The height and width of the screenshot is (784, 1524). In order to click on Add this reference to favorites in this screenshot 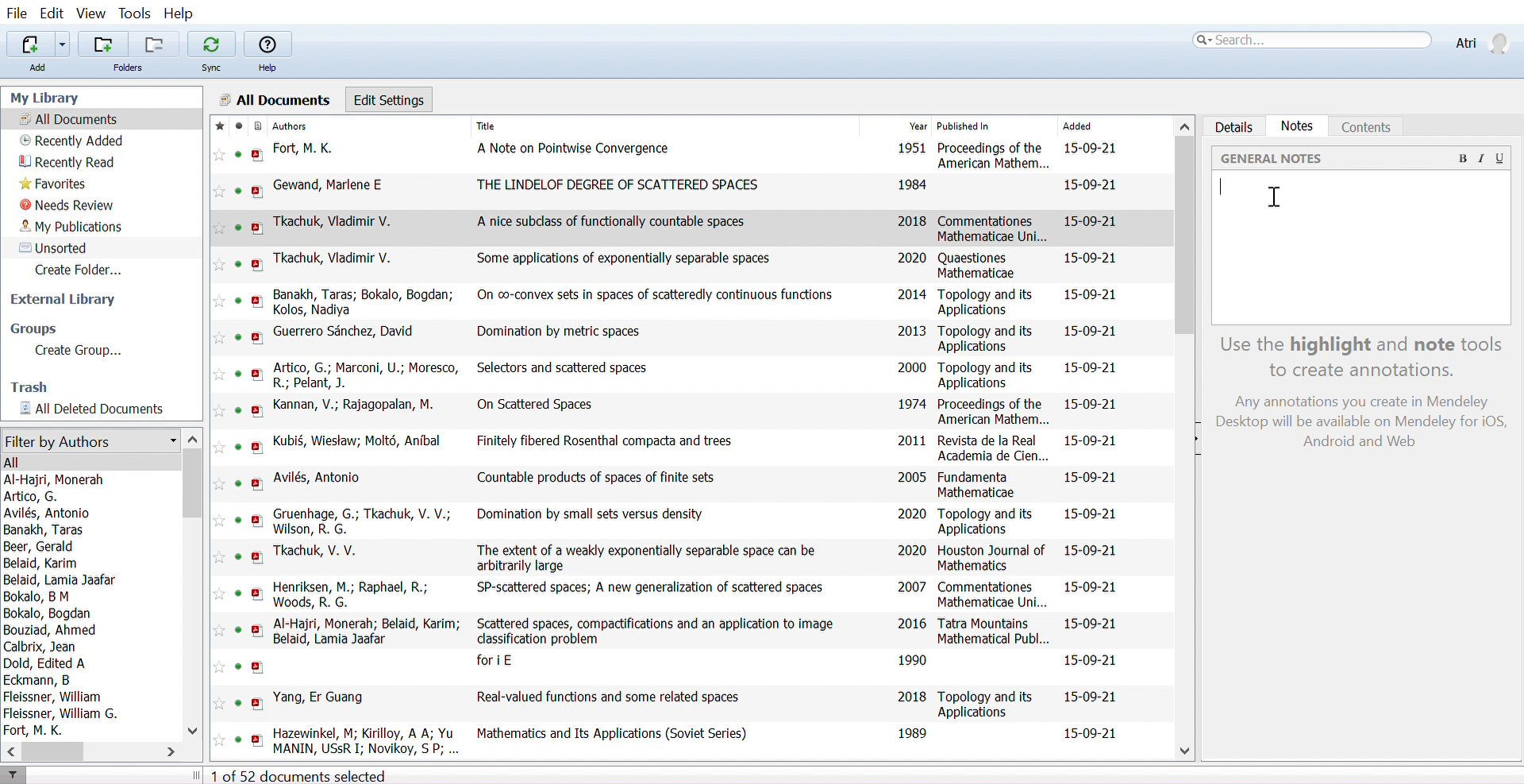, I will do `click(220, 191)`.